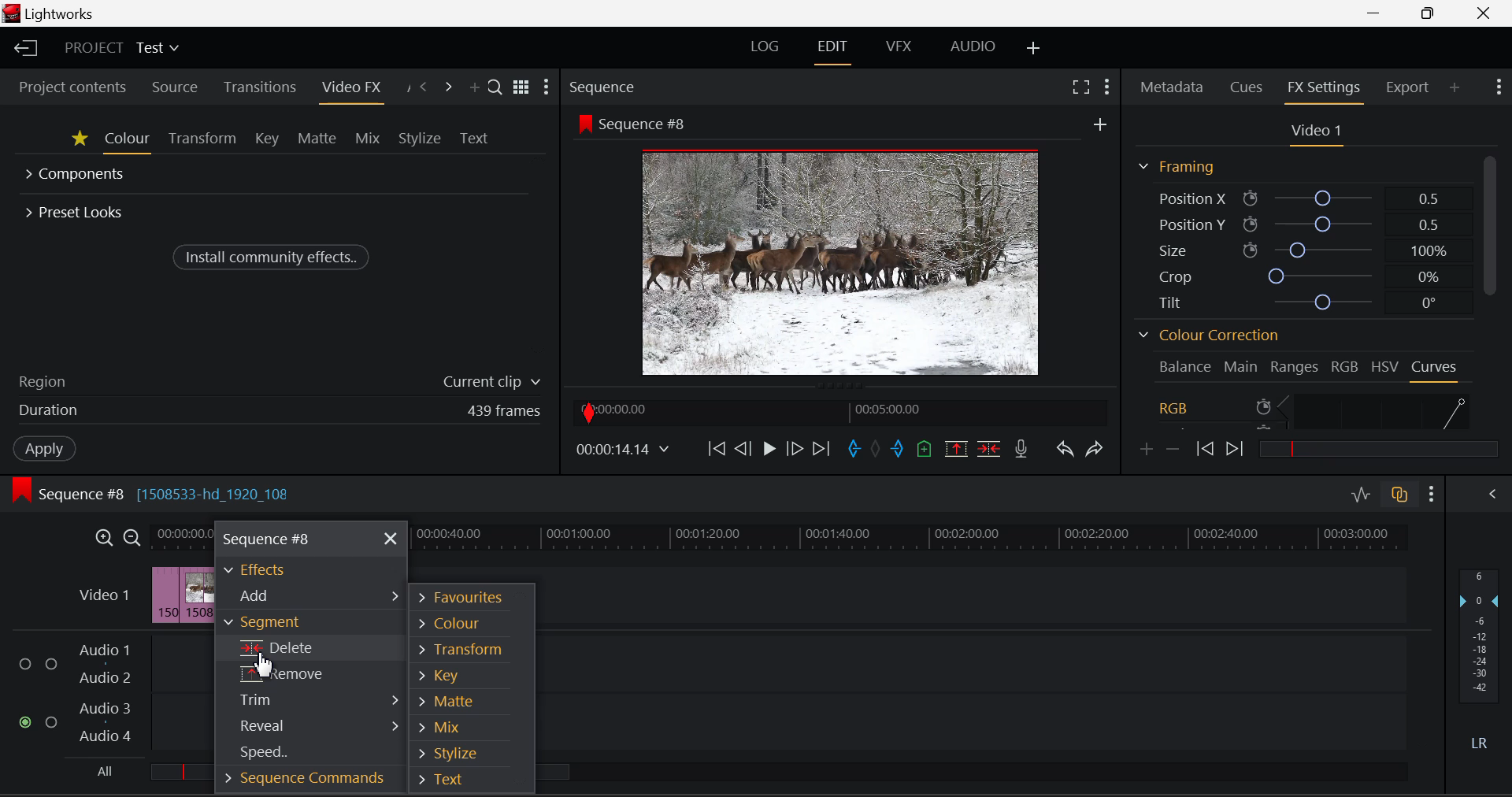 This screenshot has width=1512, height=797. Describe the element at coordinates (766, 449) in the screenshot. I see `Video Paused` at that location.